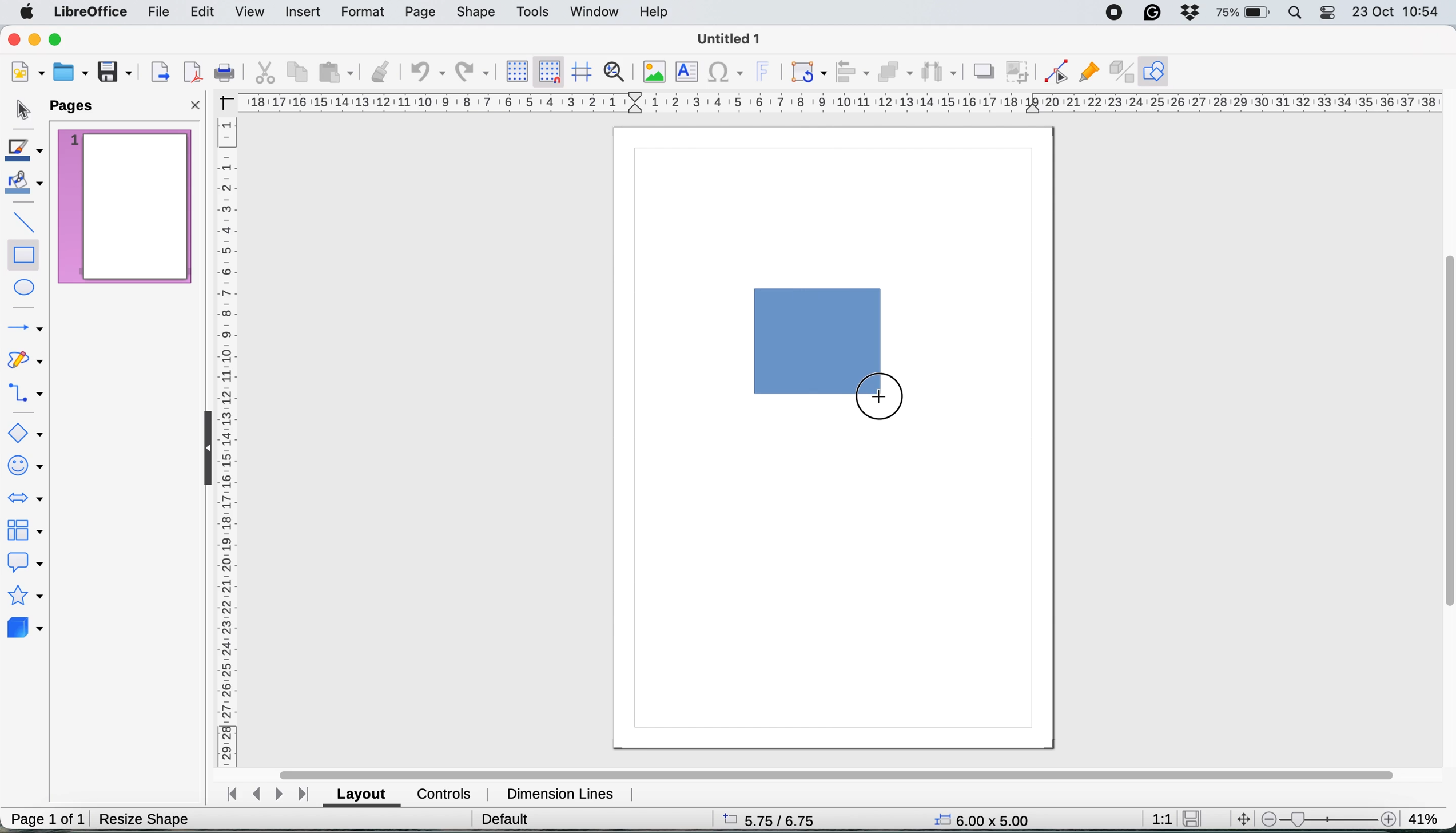 The width and height of the screenshot is (1456, 833). What do you see at coordinates (594, 10) in the screenshot?
I see `window` at bounding box center [594, 10].